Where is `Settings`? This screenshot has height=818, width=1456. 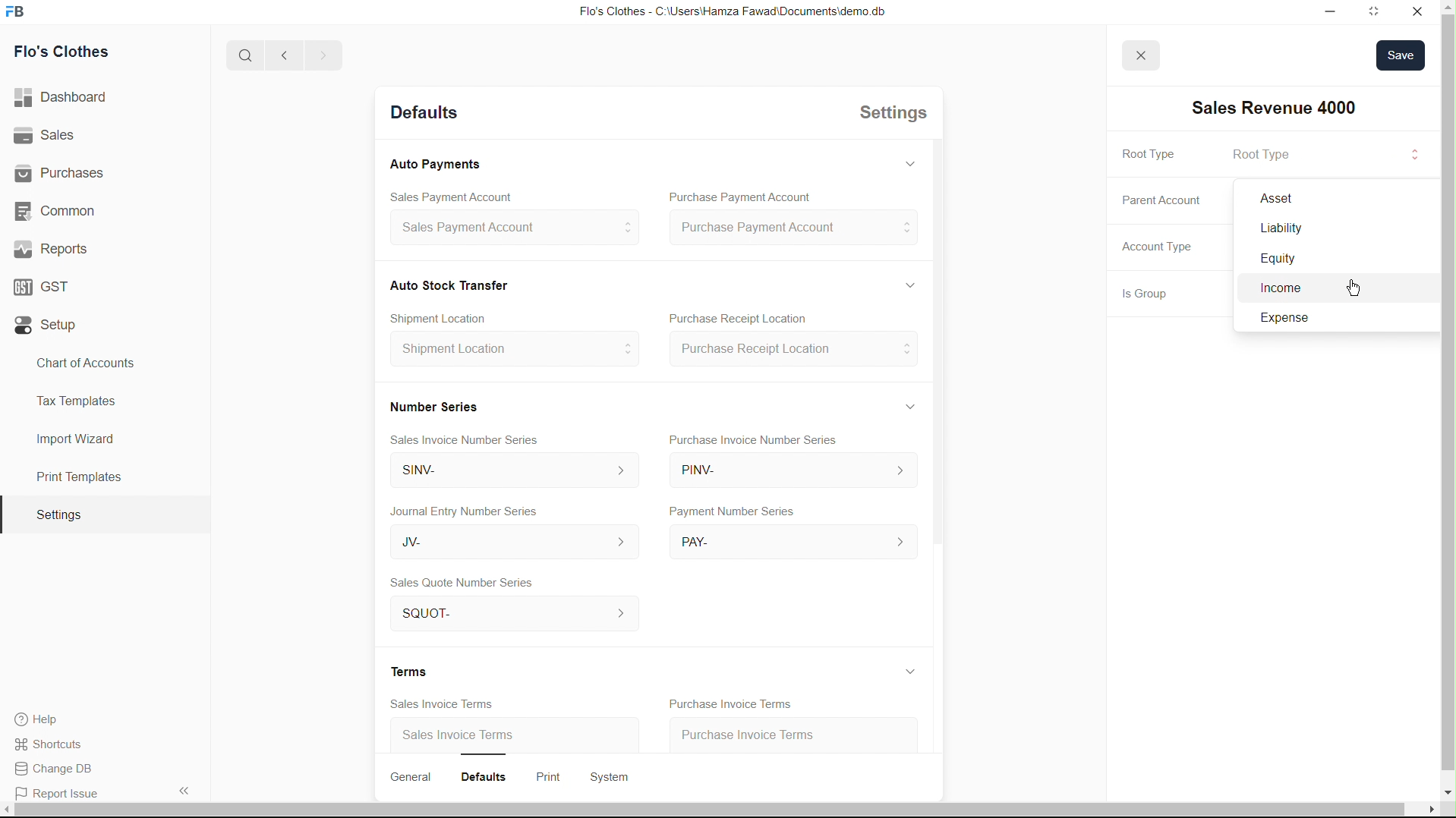
Settings is located at coordinates (58, 515).